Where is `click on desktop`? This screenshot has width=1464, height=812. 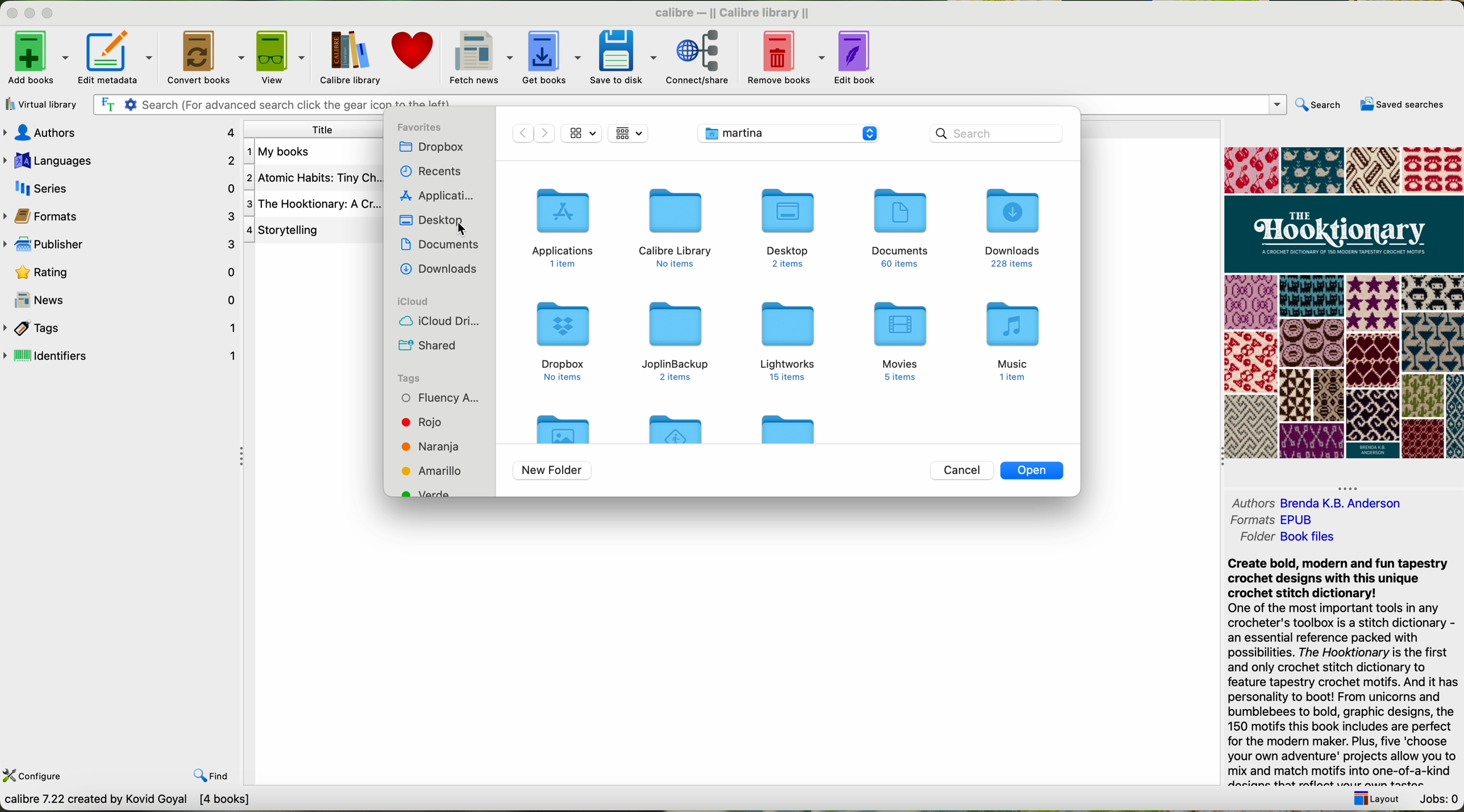
click on desktop is located at coordinates (435, 223).